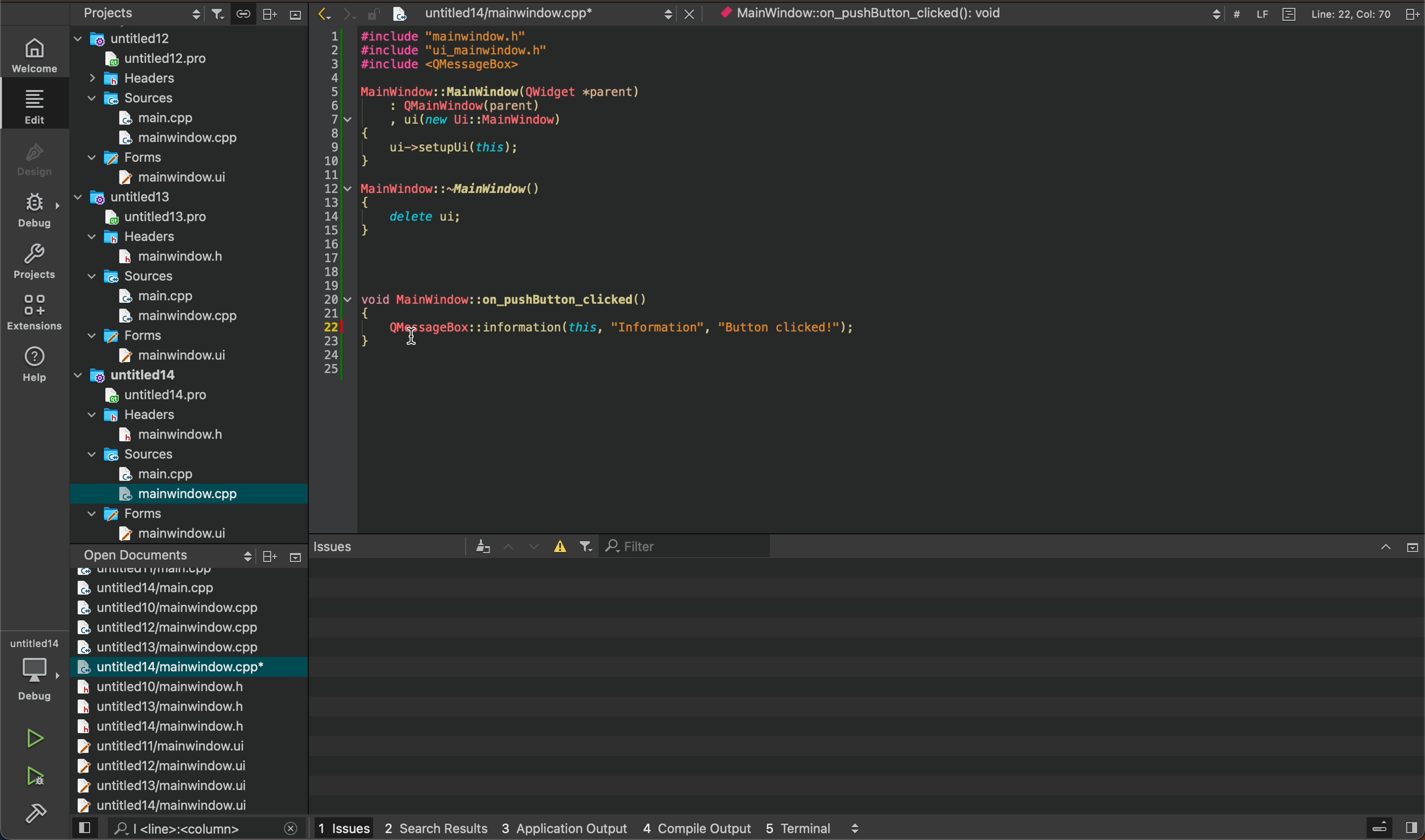 Image resolution: width=1425 pixels, height=840 pixels. What do you see at coordinates (33, 260) in the screenshot?
I see `projects` at bounding box center [33, 260].